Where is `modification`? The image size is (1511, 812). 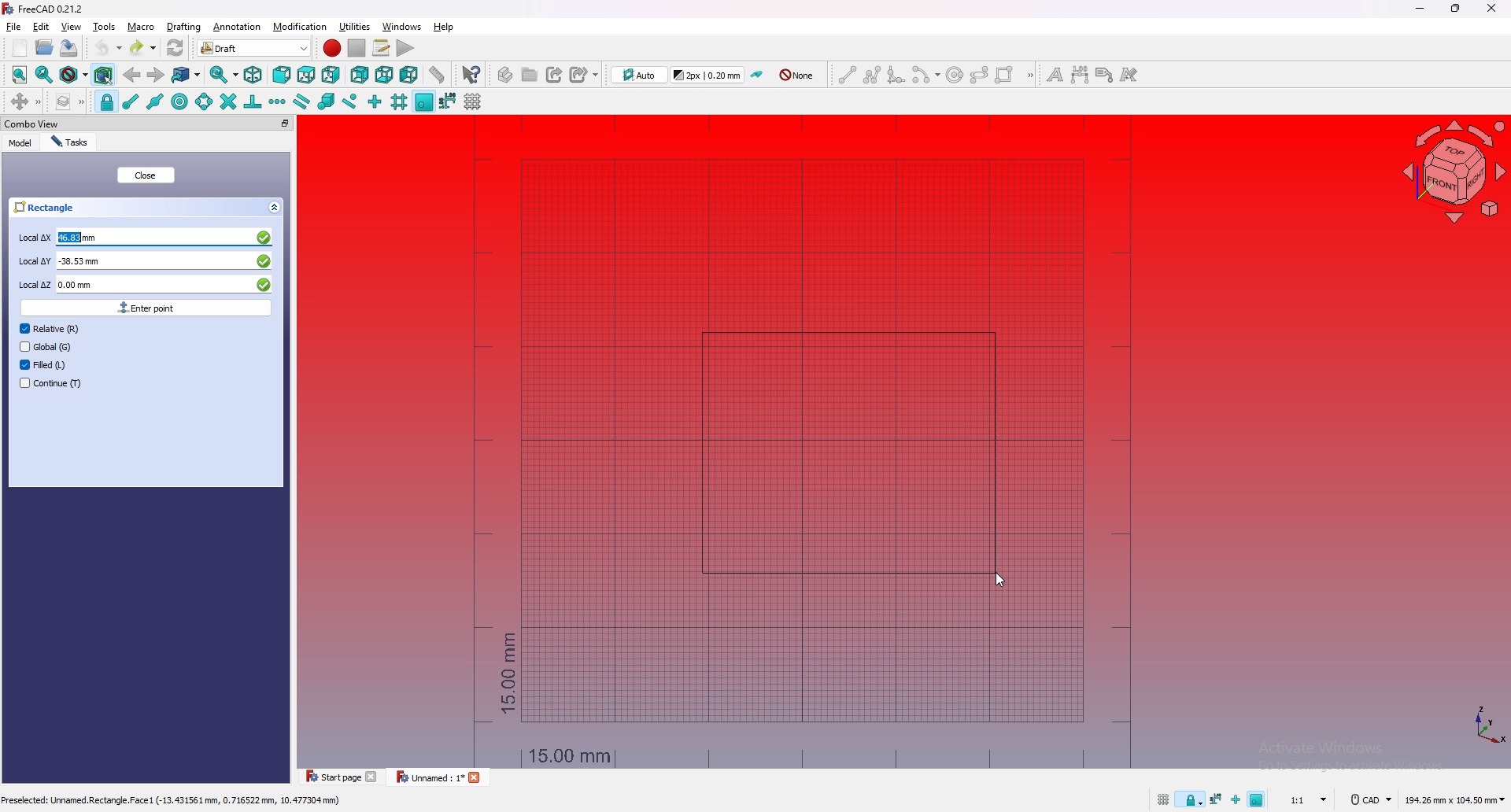 modification is located at coordinates (301, 27).